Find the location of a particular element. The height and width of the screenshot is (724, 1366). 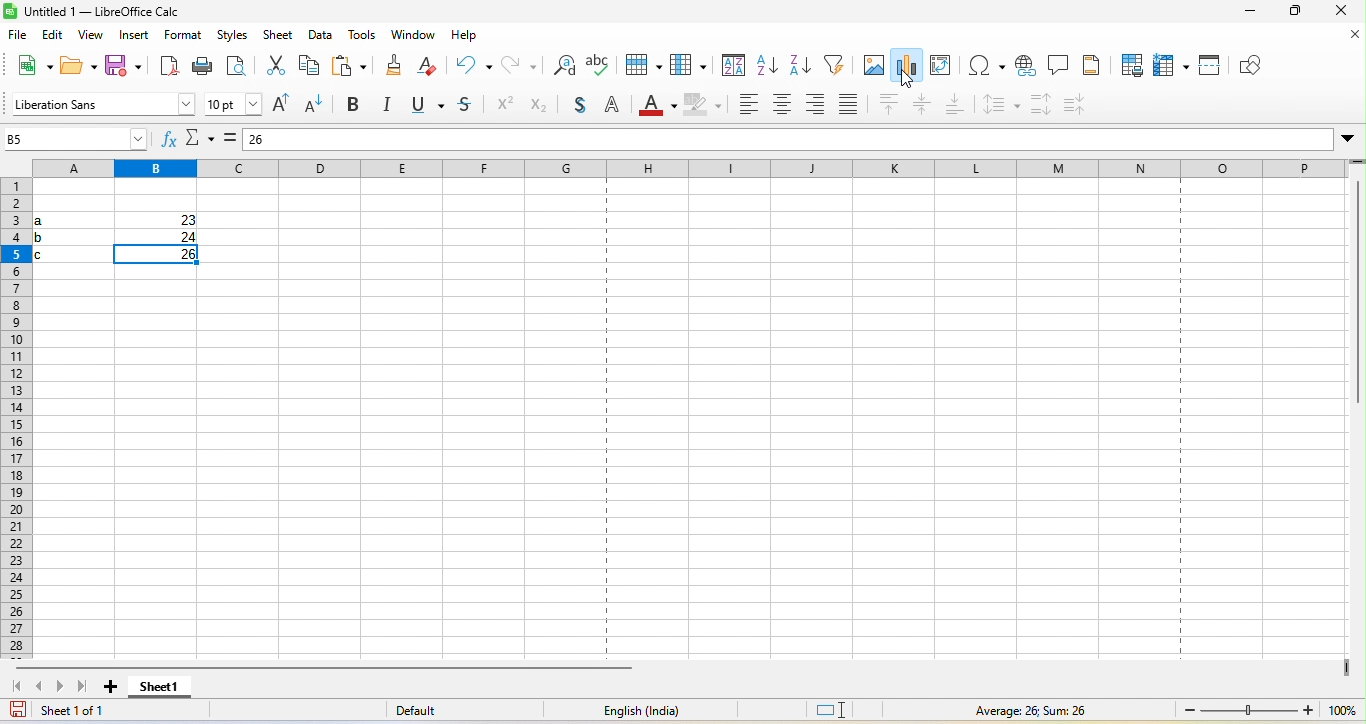

toggle shadow  is located at coordinates (581, 108).